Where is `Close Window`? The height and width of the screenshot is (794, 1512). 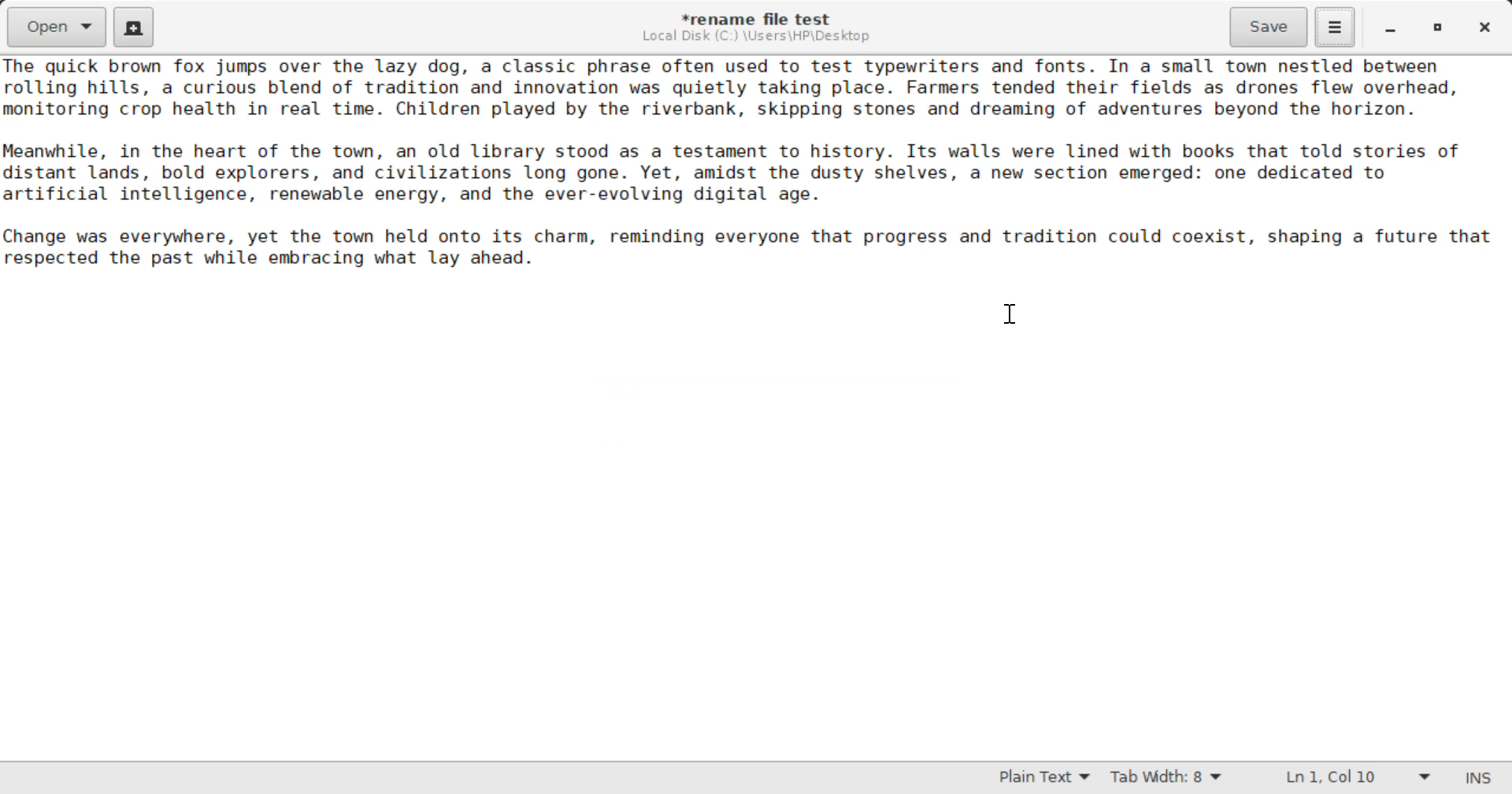
Close Window is located at coordinates (1482, 27).